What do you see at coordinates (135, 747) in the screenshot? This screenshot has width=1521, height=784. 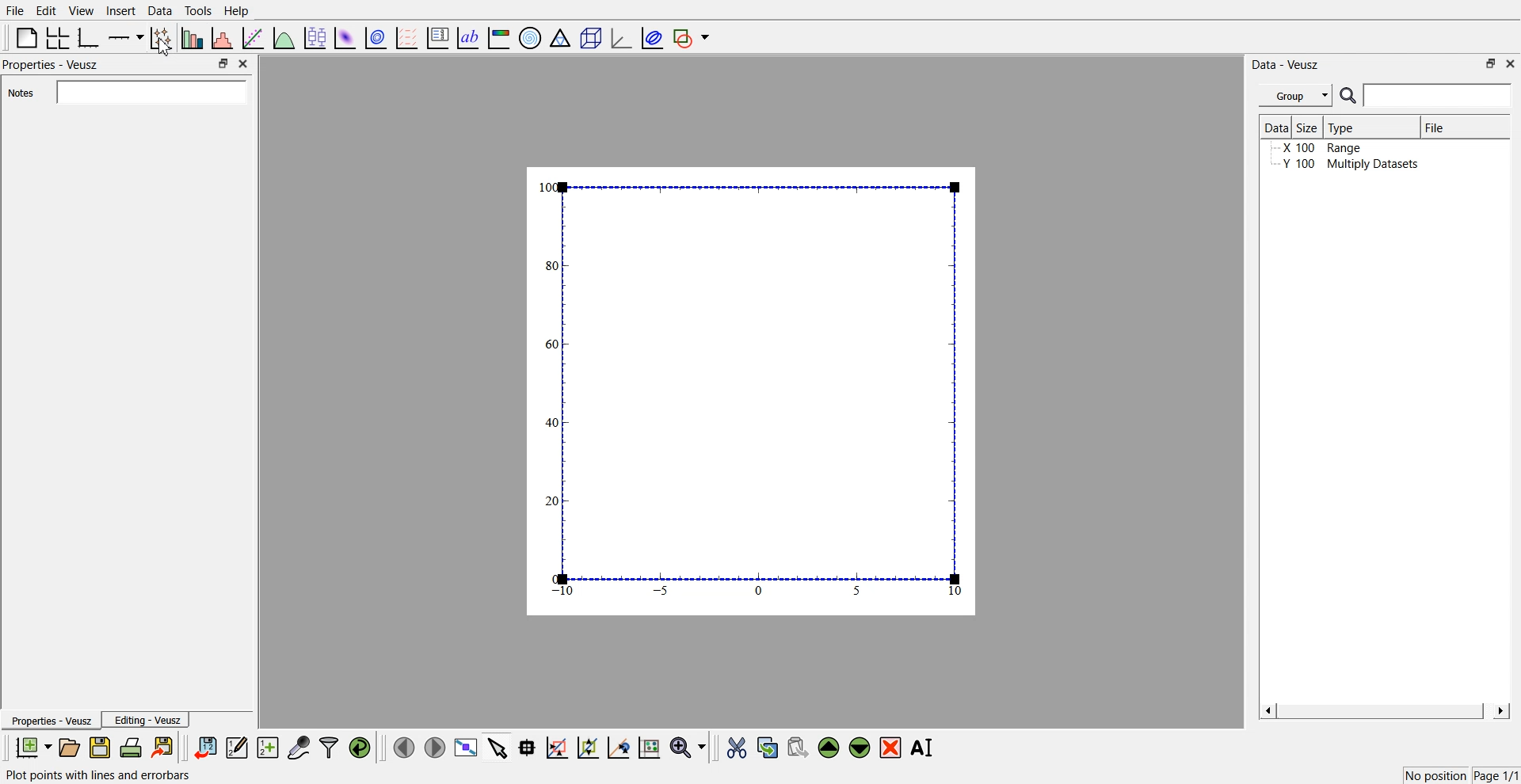 I see `print` at bounding box center [135, 747].